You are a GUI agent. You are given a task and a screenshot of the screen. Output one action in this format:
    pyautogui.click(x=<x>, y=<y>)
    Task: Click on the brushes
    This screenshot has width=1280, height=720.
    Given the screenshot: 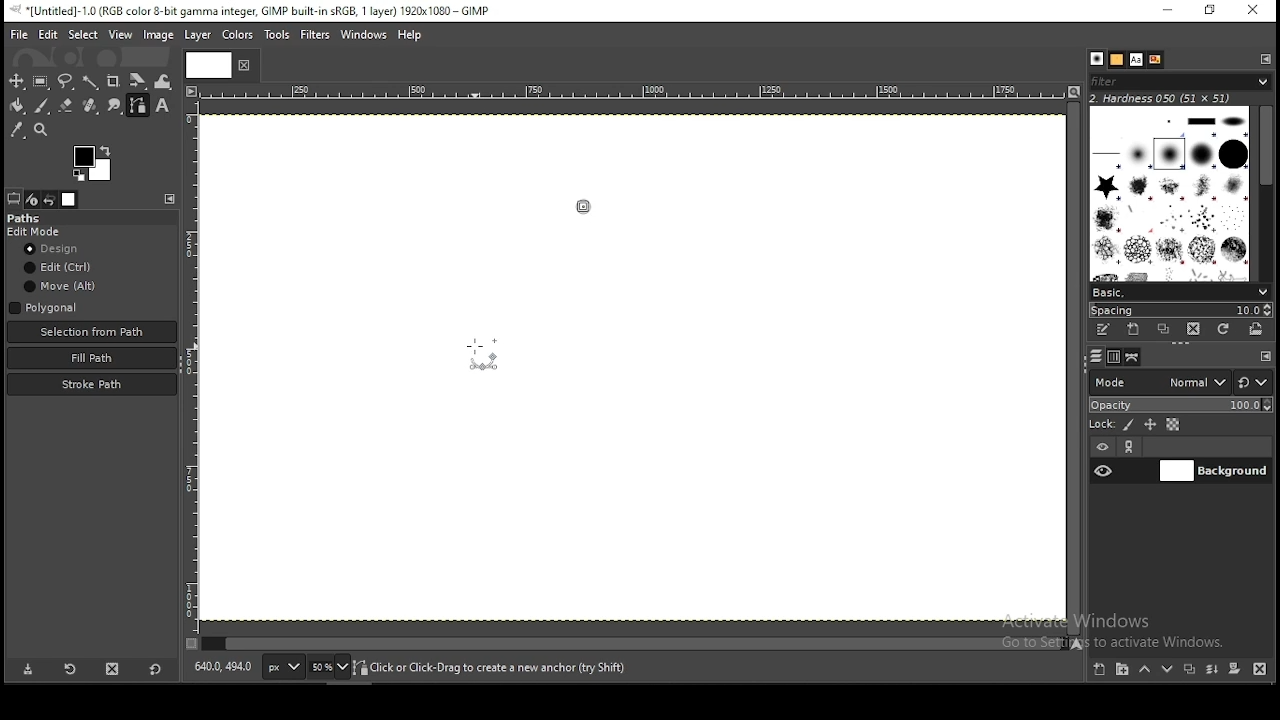 What is the action you would take?
    pyautogui.click(x=1167, y=193)
    